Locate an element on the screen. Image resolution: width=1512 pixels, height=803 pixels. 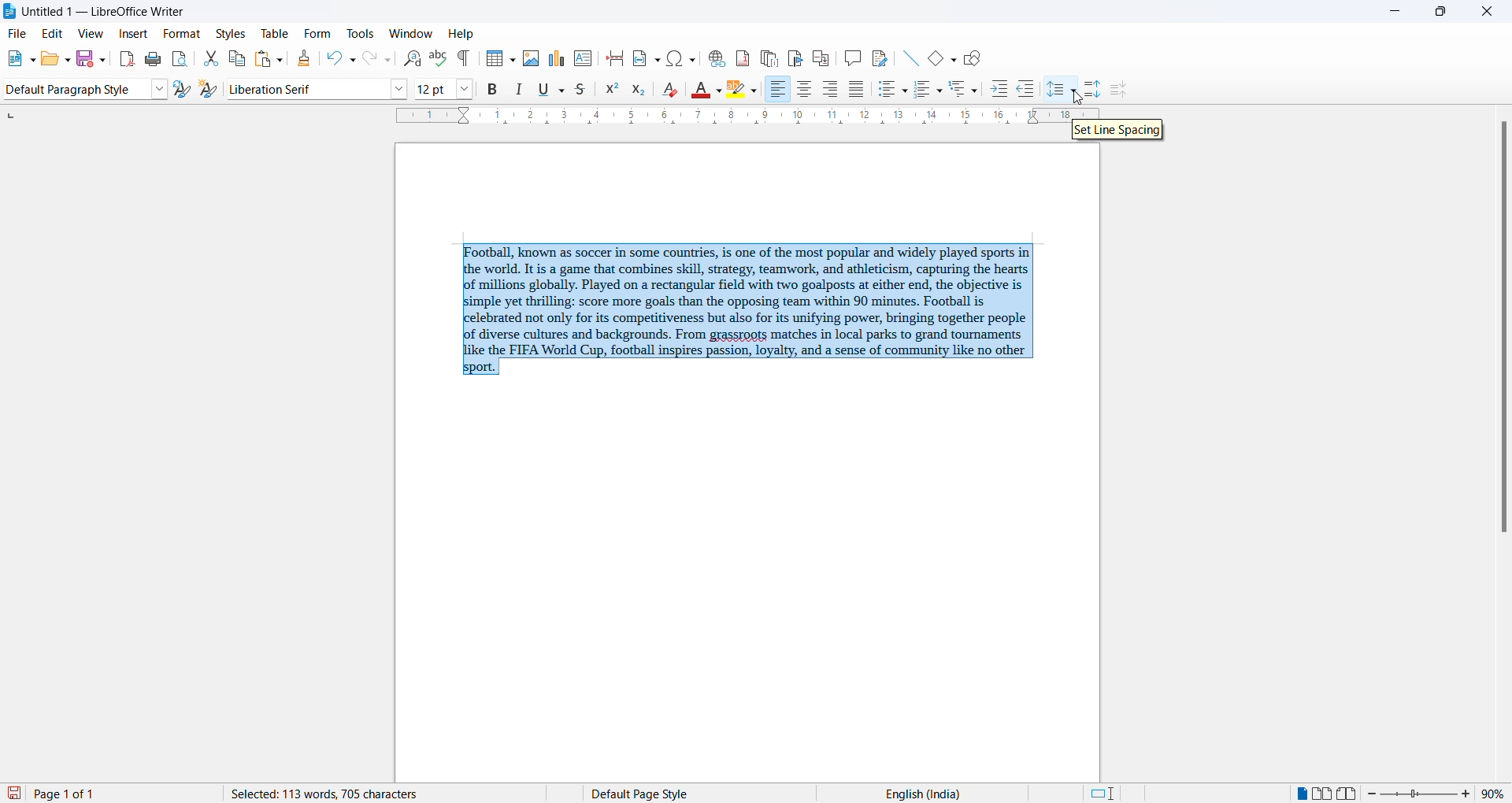
decrease paragraph spacing is located at coordinates (1117, 91).